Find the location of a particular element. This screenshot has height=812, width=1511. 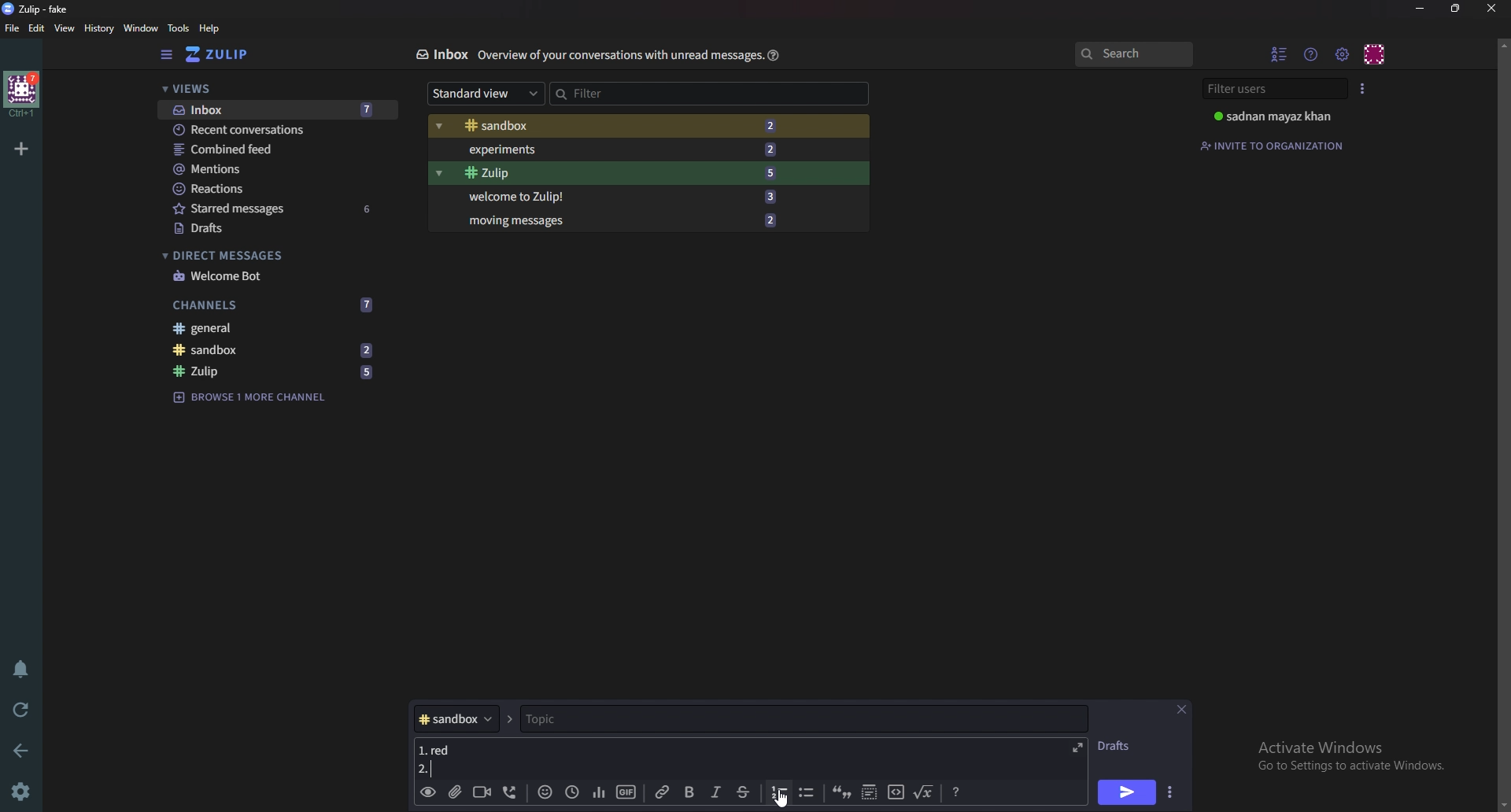

Invite to organization is located at coordinates (1275, 144).